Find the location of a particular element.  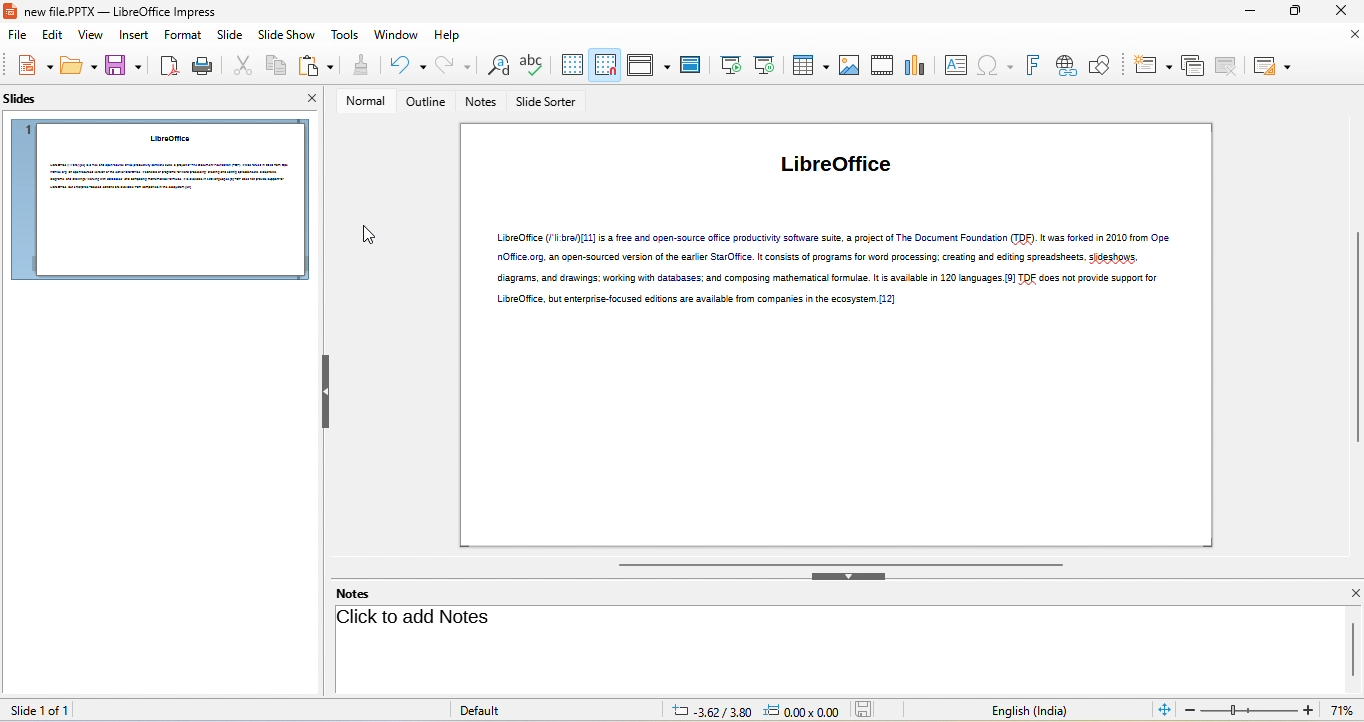

display view is located at coordinates (649, 67).